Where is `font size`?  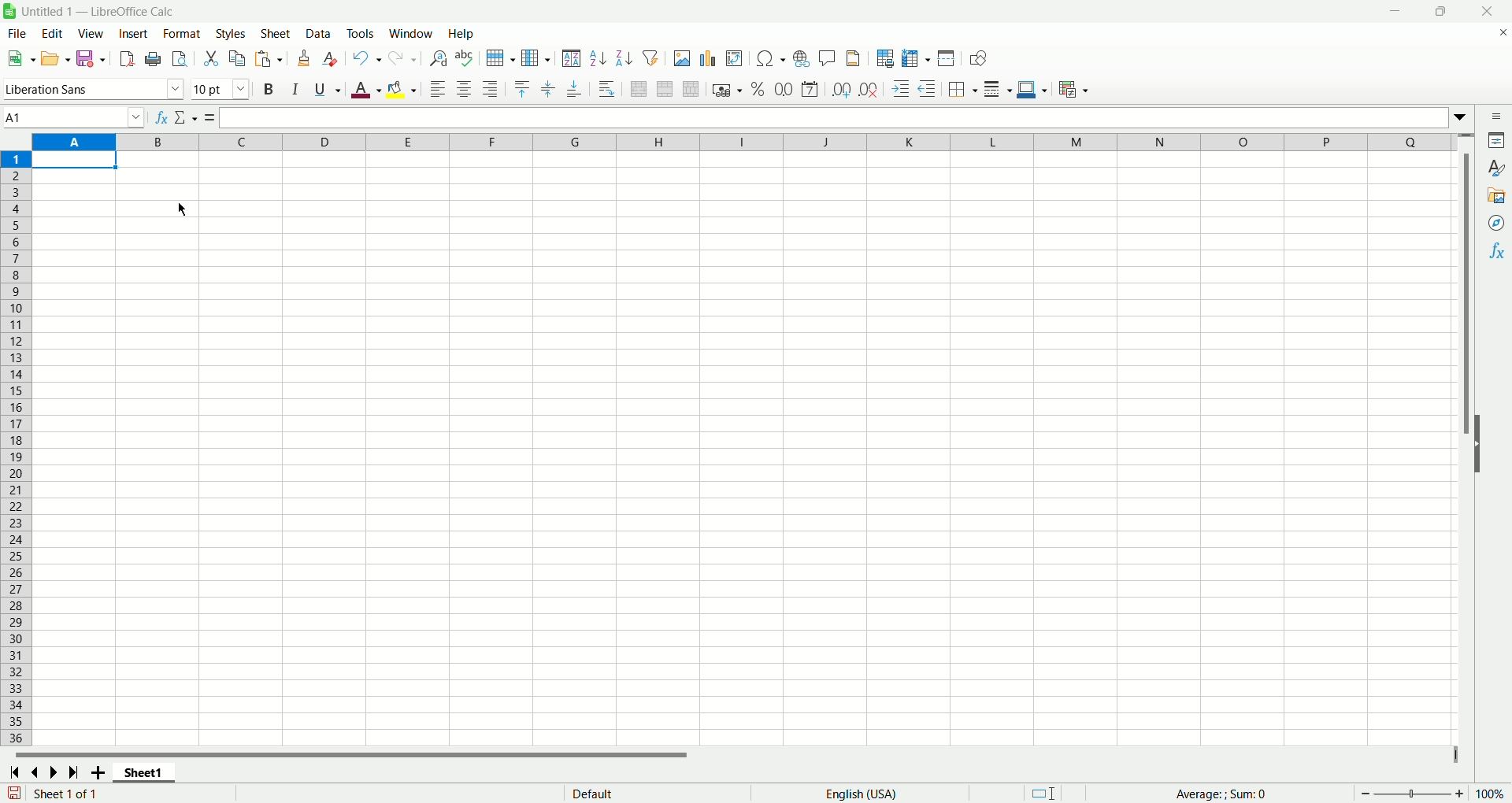 font size is located at coordinates (221, 90).